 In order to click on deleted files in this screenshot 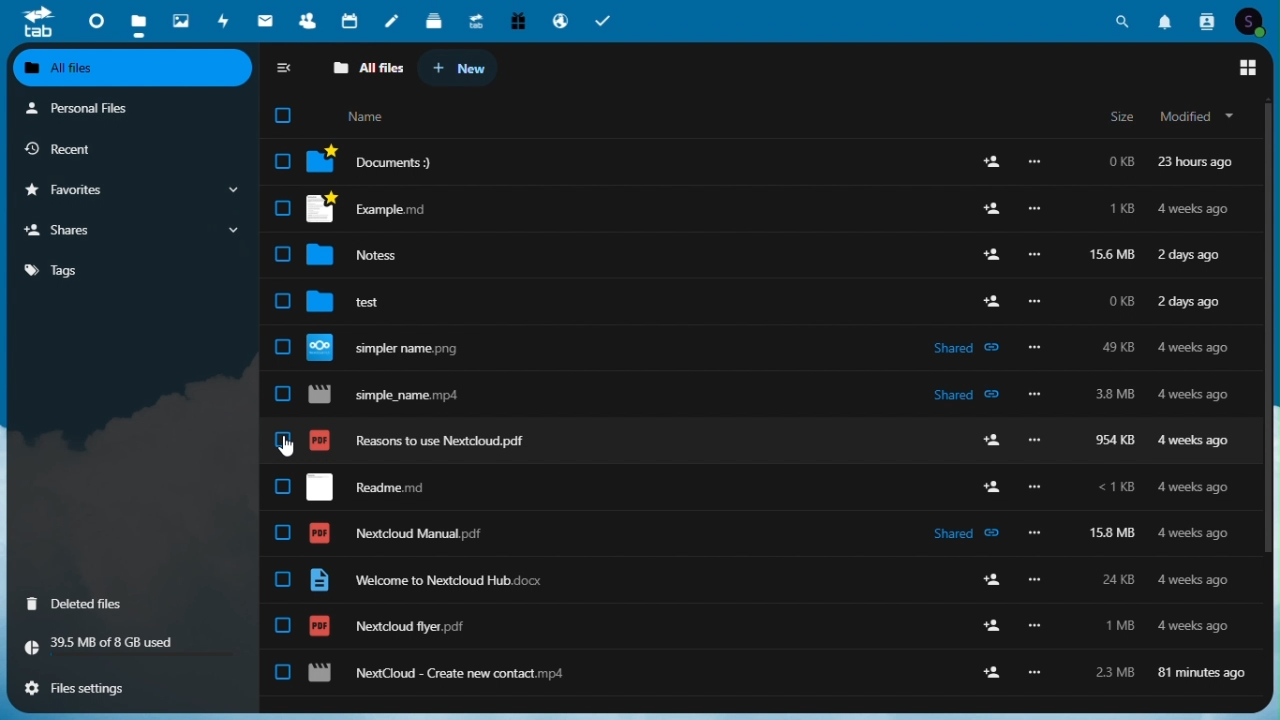, I will do `click(131, 602)`.